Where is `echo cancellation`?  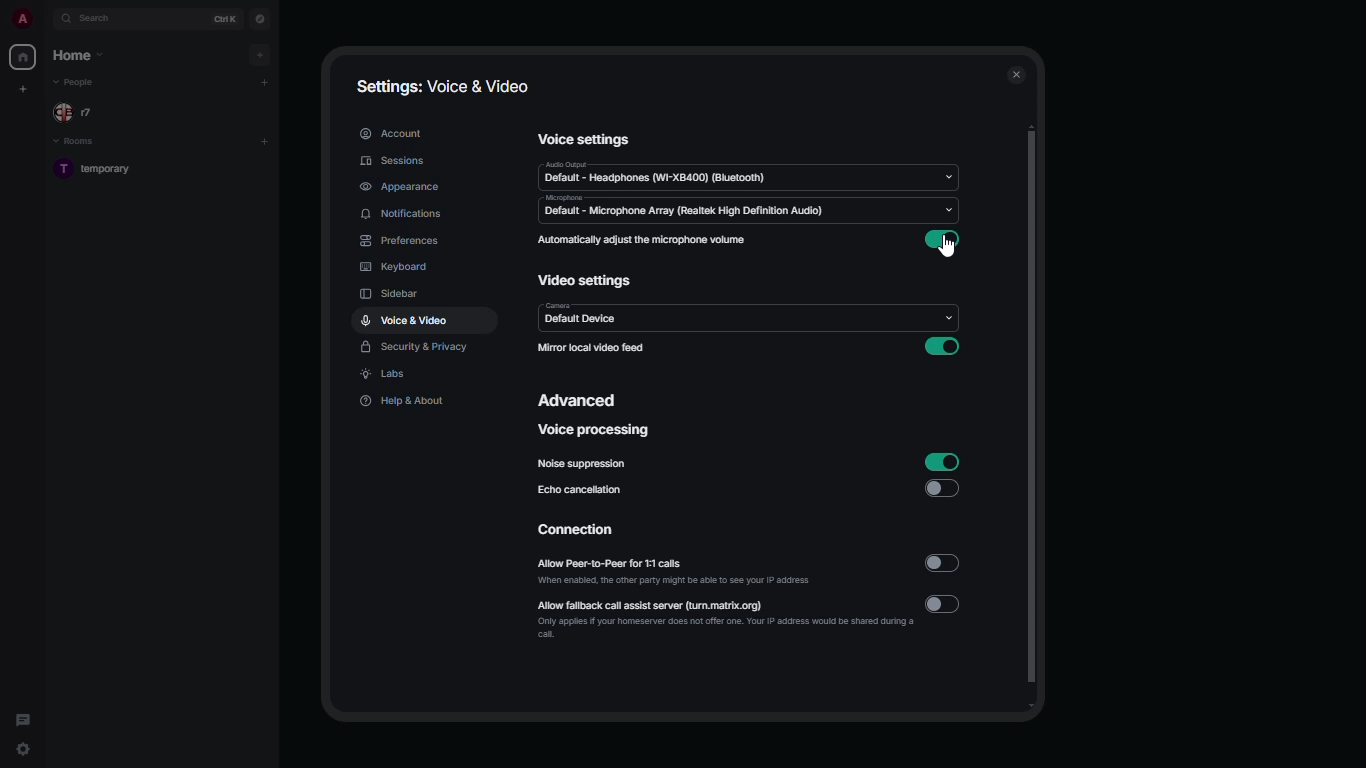
echo cancellation is located at coordinates (582, 492).